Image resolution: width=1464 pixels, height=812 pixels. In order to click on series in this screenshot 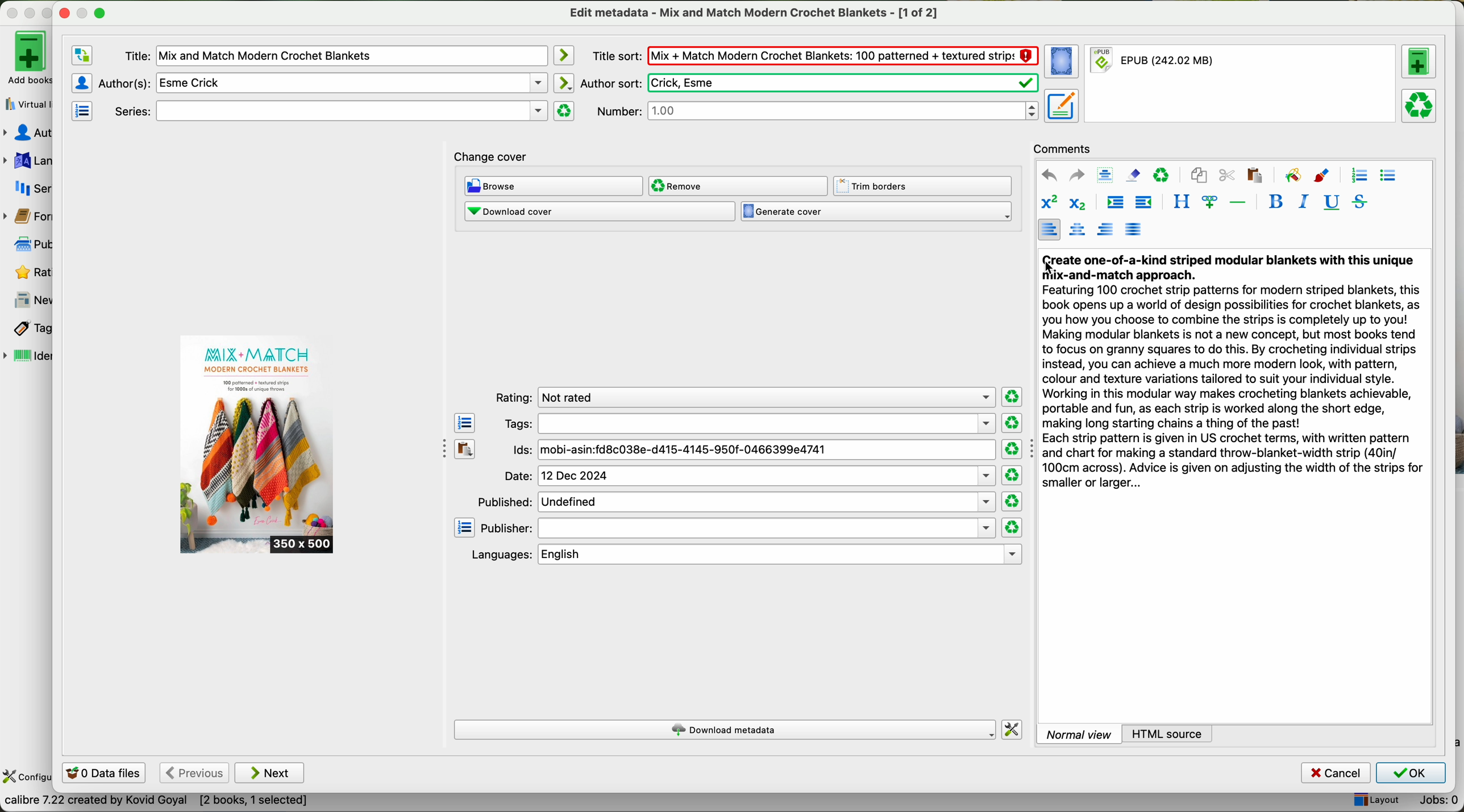, I will do `click(328, 111)`.